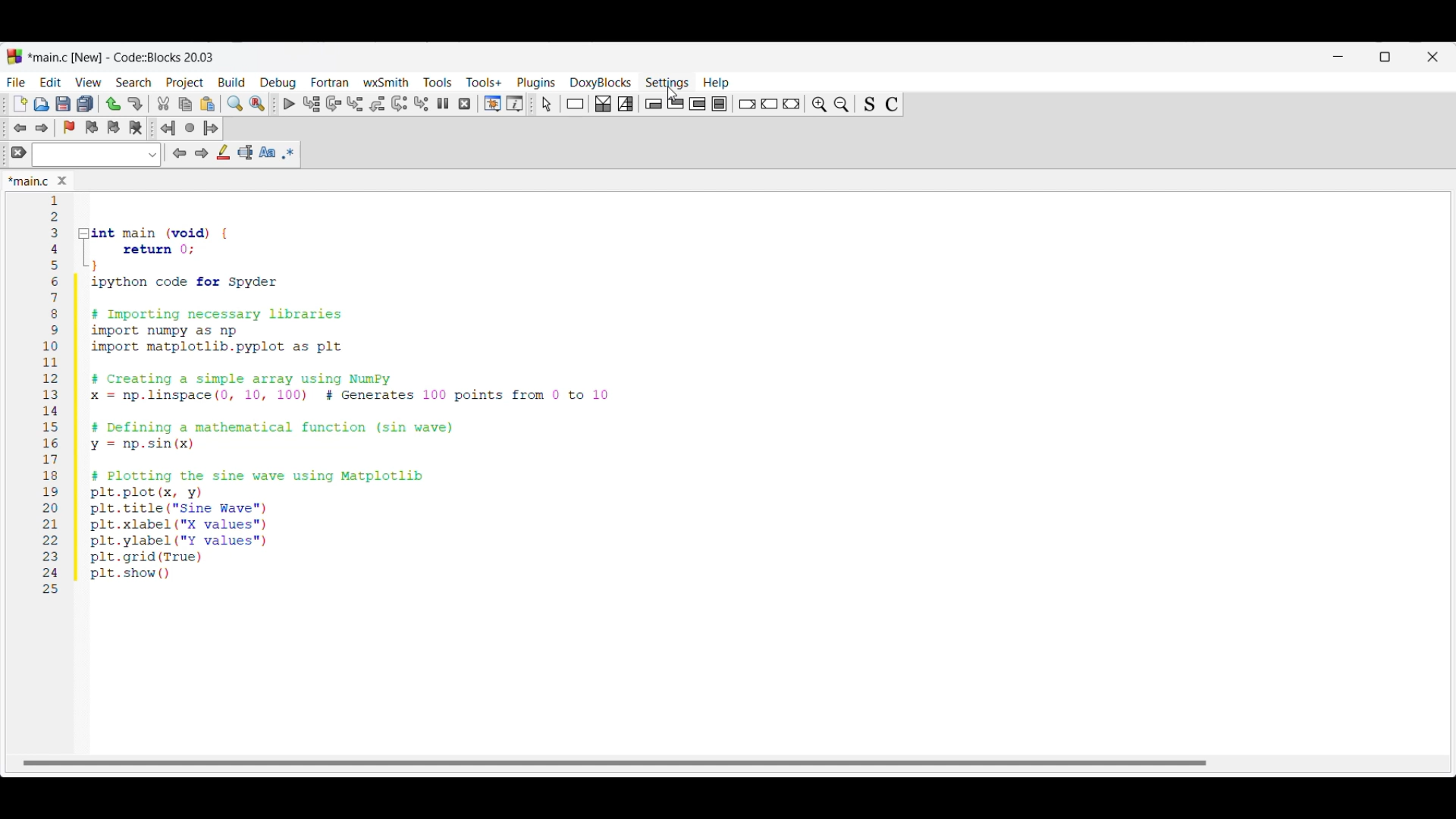 The height and width of the screenshot is (819, 1456). Describe the element at coordinates (113, 127) in the screenshot. I see `Next bookmark` at that location.